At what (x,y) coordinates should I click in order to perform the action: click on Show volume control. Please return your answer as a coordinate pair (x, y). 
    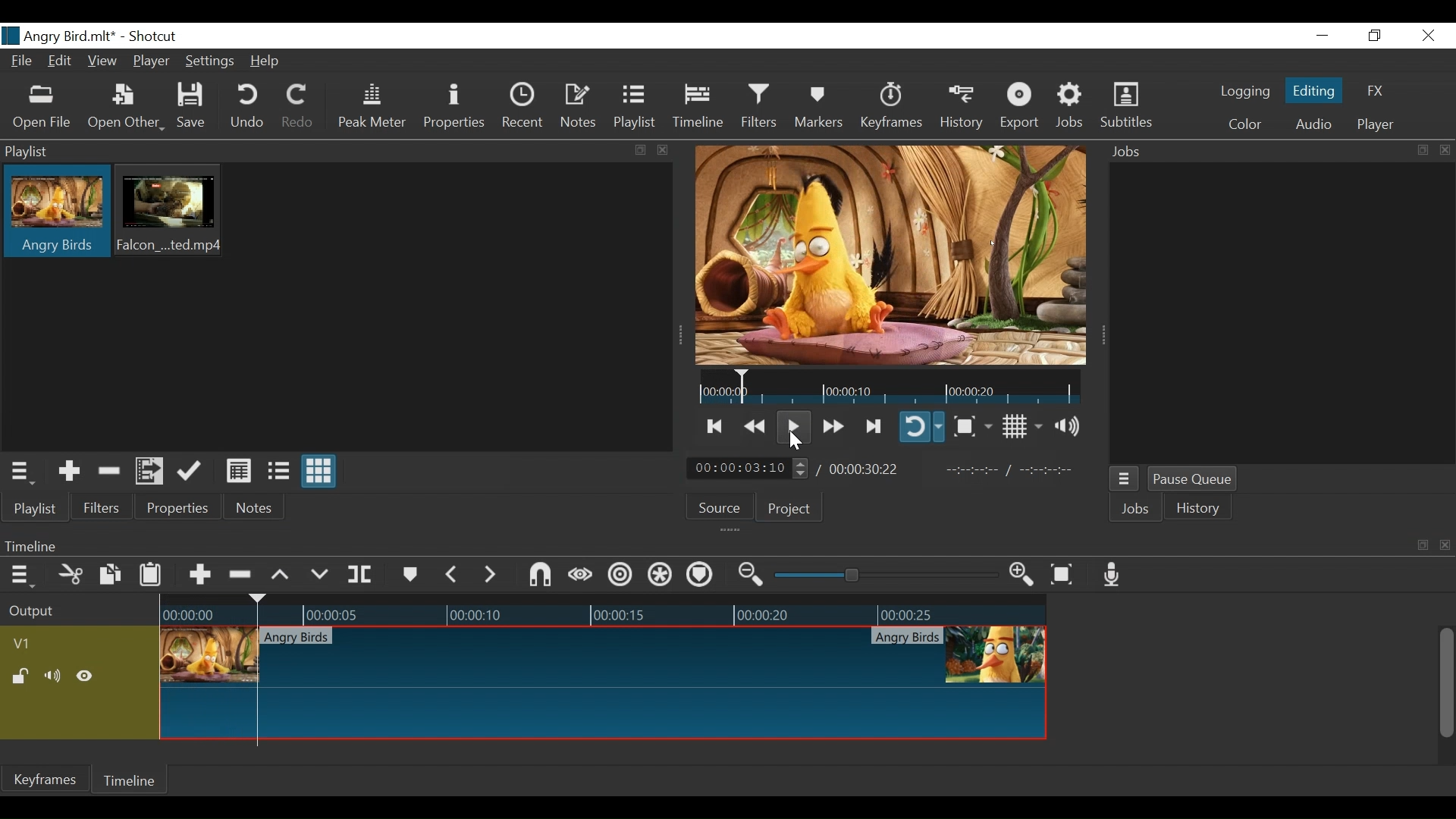
    Looking at the image, I should click on (1070, 427).